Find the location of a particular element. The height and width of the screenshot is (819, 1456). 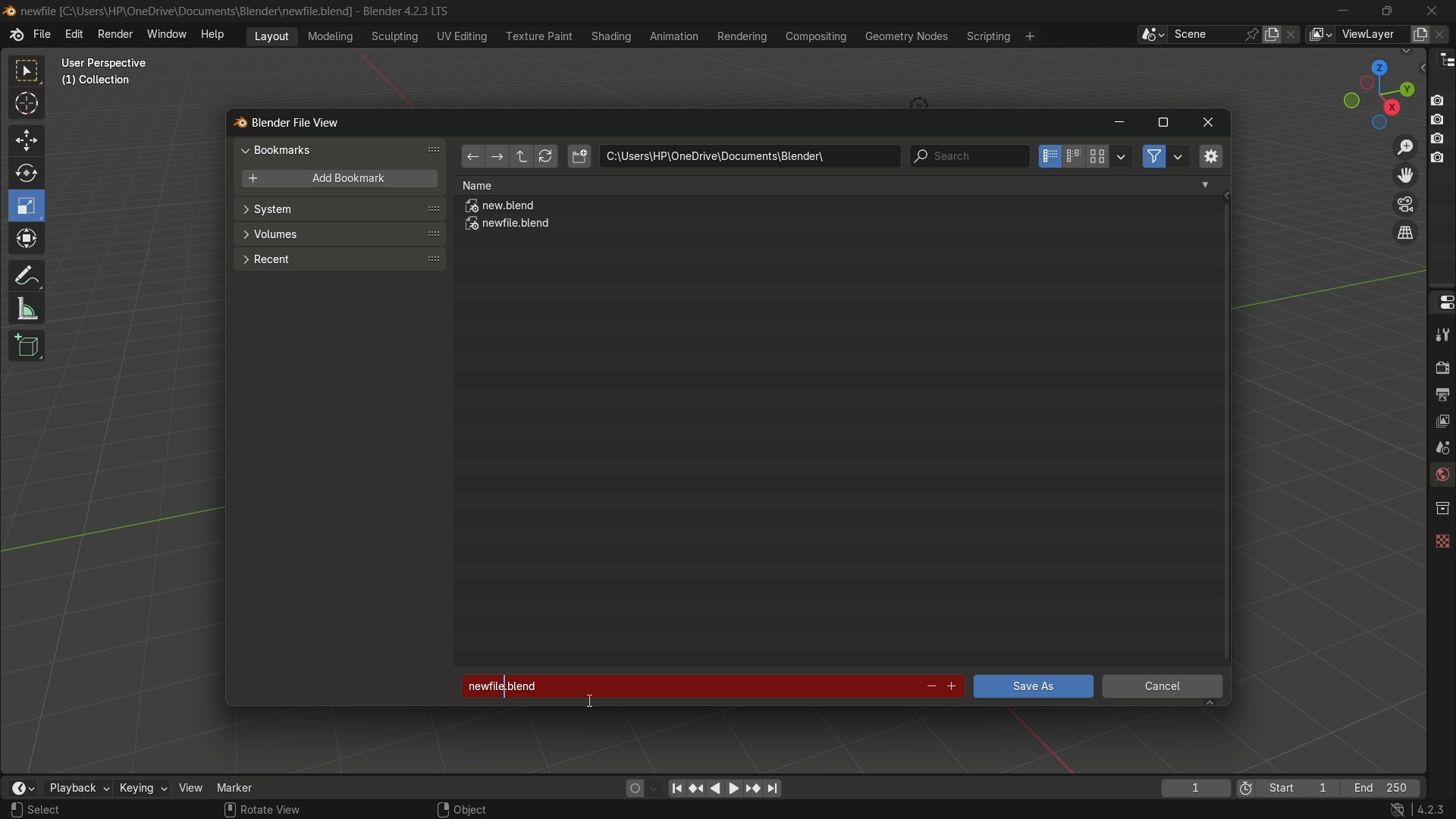

system is located at coordinates (340, 211).